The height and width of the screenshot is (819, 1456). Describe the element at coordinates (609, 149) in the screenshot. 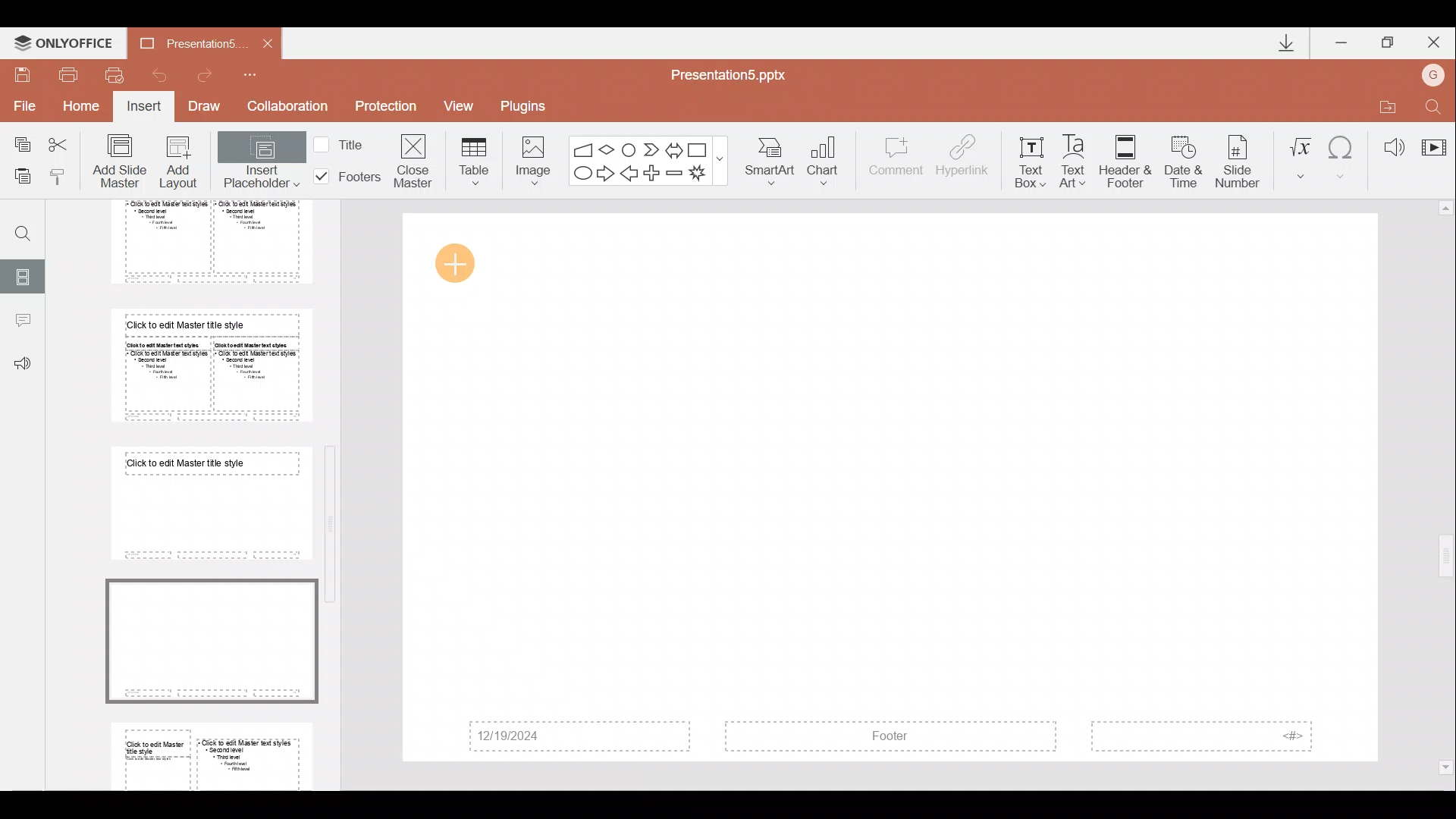

I see `Flow chart-decision` at that location.